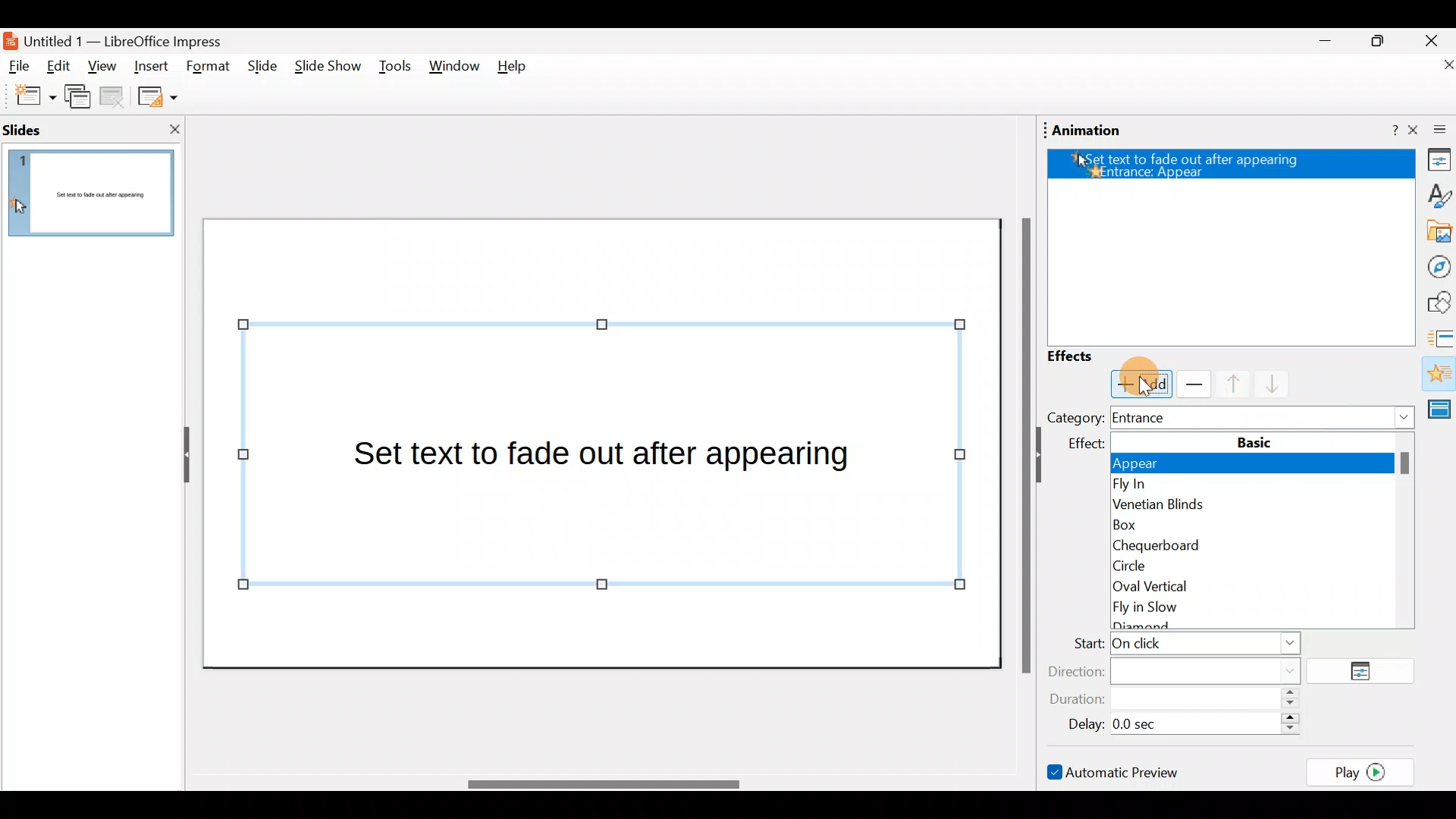 This screenshot has height=819, width=1456. I want to click on Chequerboard, so click(1256, 544).